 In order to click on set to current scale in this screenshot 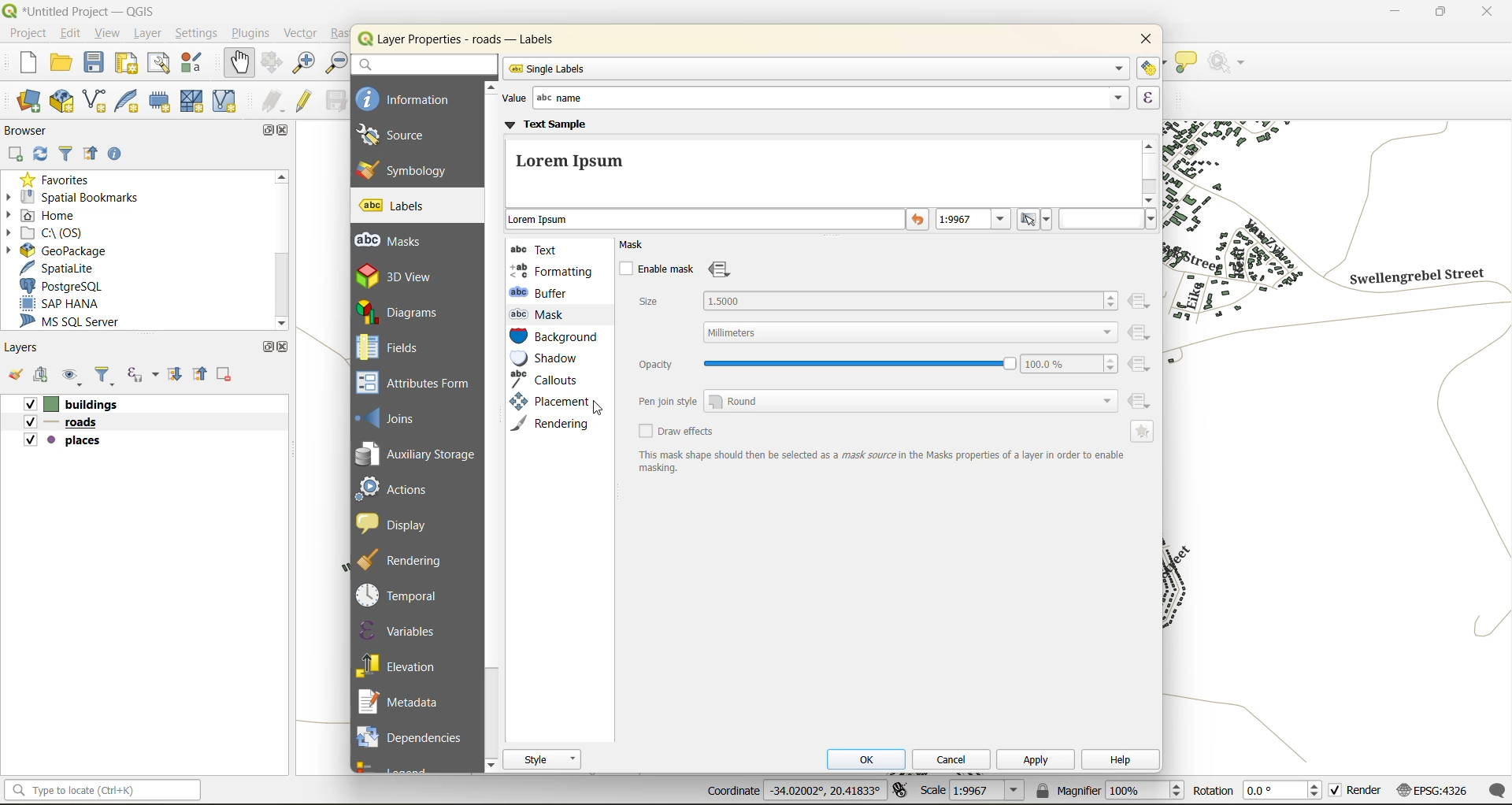, I will do `click(1036, 220)`.